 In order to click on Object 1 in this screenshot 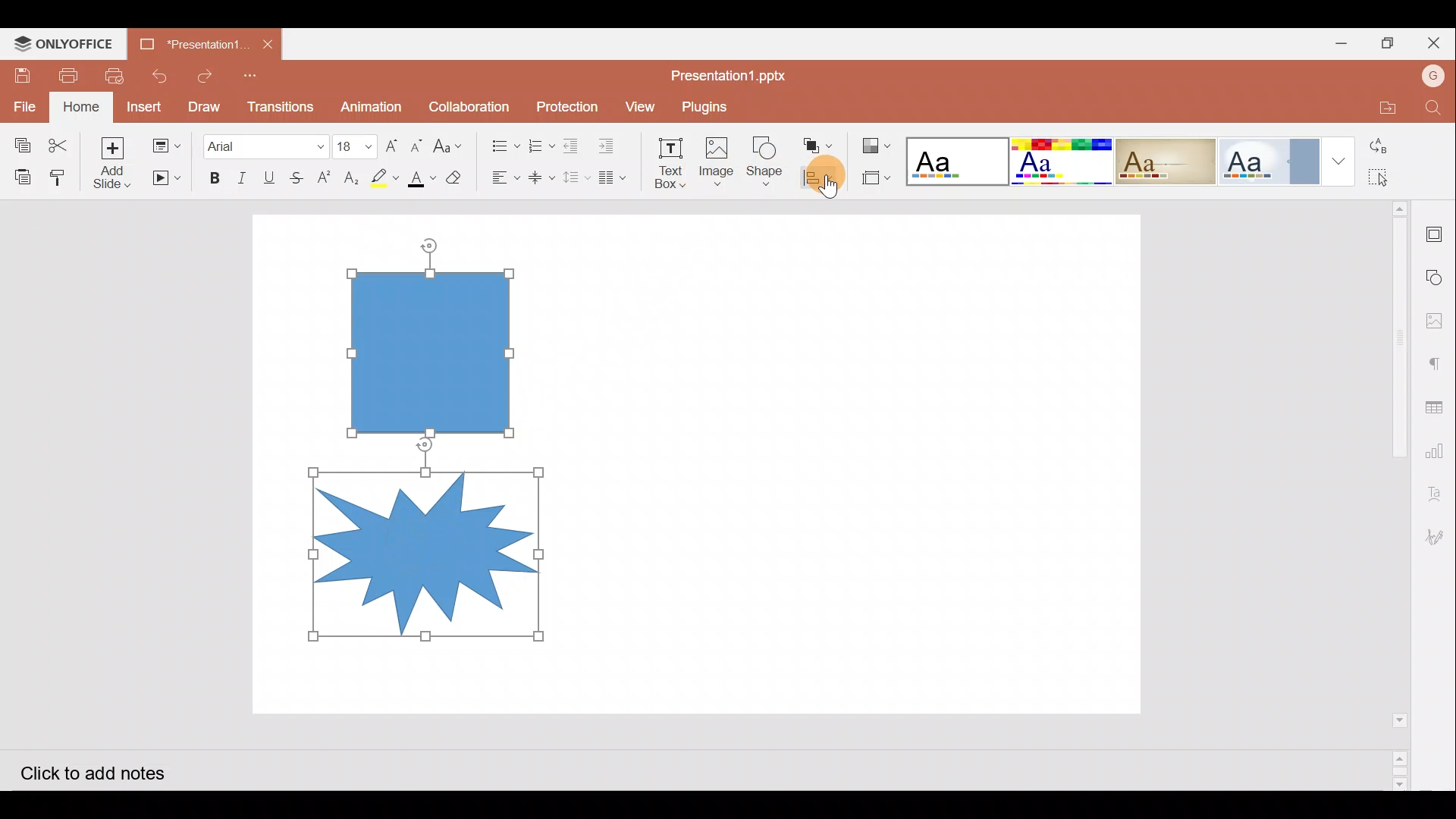, I will do `click(436, 351)`.